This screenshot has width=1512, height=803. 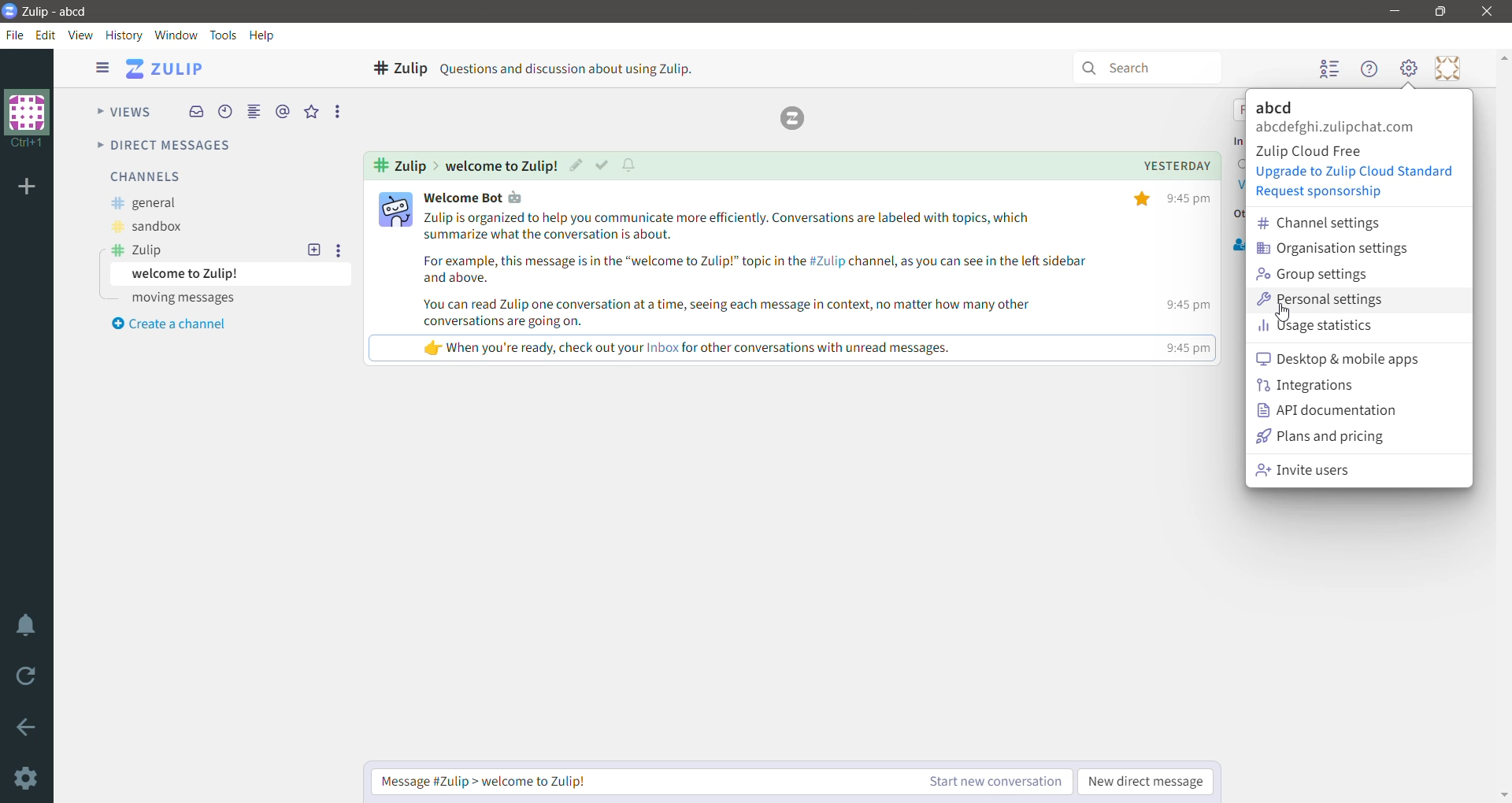 What do you see at coordinates (139, 250) in the screenshot?
I see `Zulip` at bounding box center [139, 250].